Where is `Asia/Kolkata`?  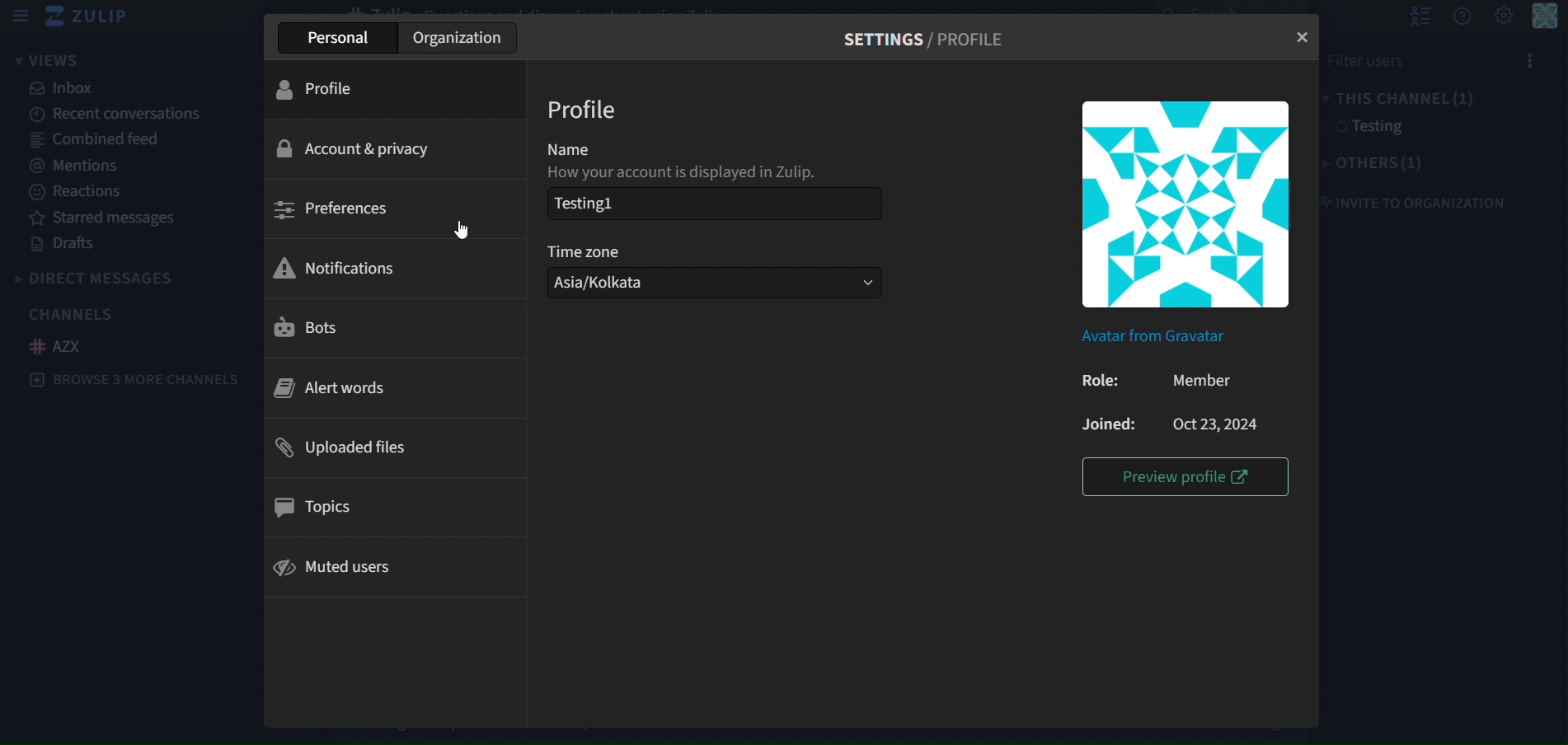 Asia/Kolkata is located at coordinates (716, 284).